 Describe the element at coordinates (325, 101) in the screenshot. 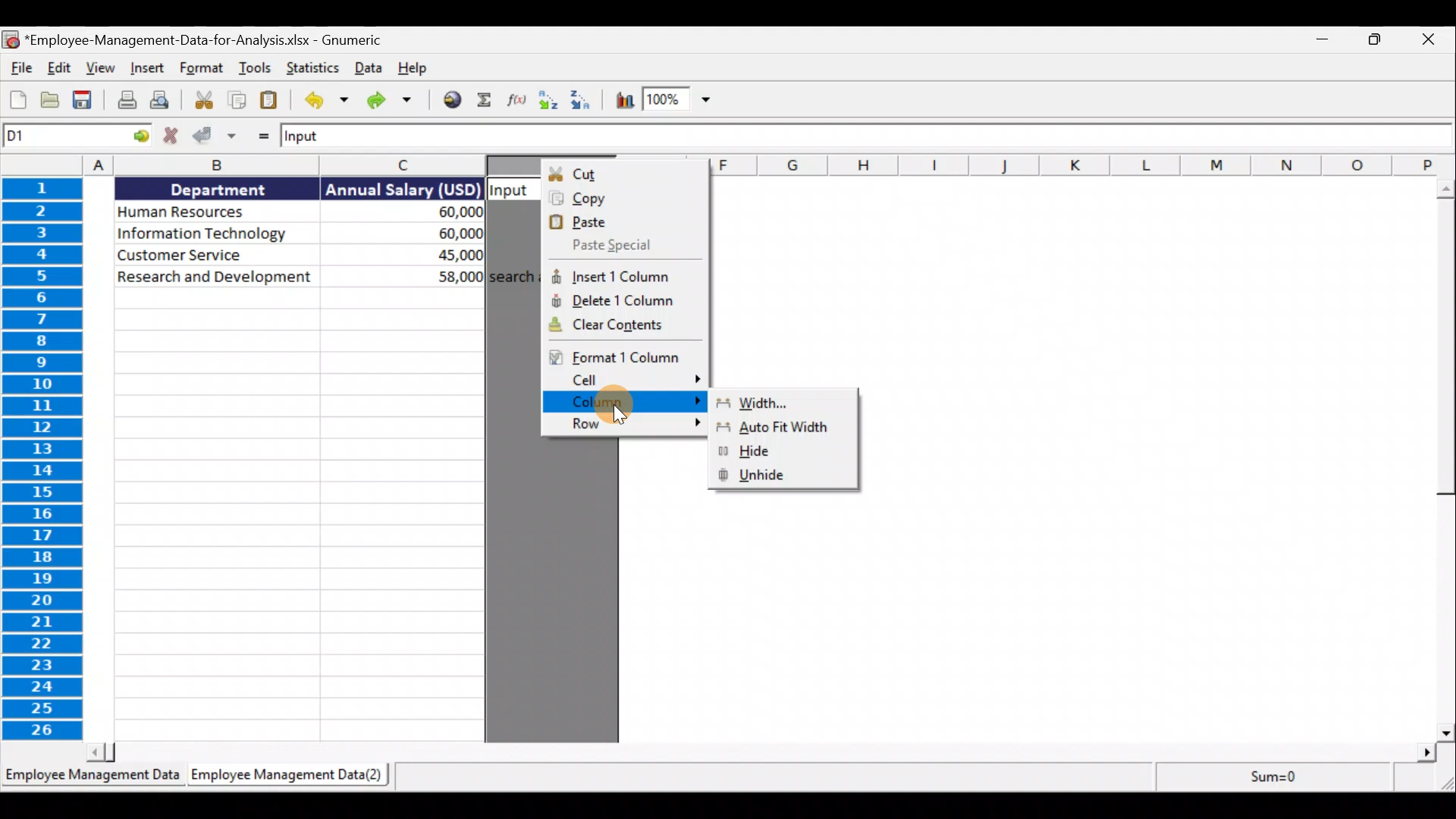

I see `Undo last action` at that location.